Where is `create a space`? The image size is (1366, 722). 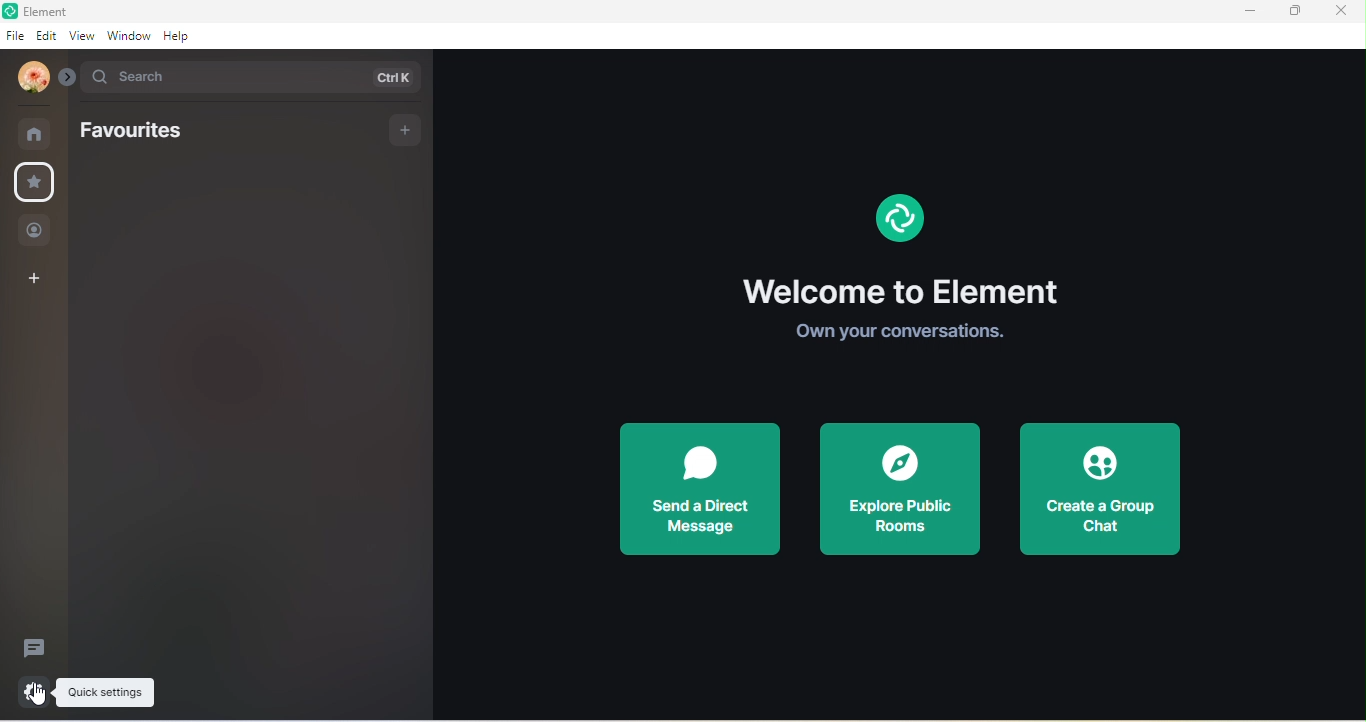
create a space is located at coordinates (31, 280).